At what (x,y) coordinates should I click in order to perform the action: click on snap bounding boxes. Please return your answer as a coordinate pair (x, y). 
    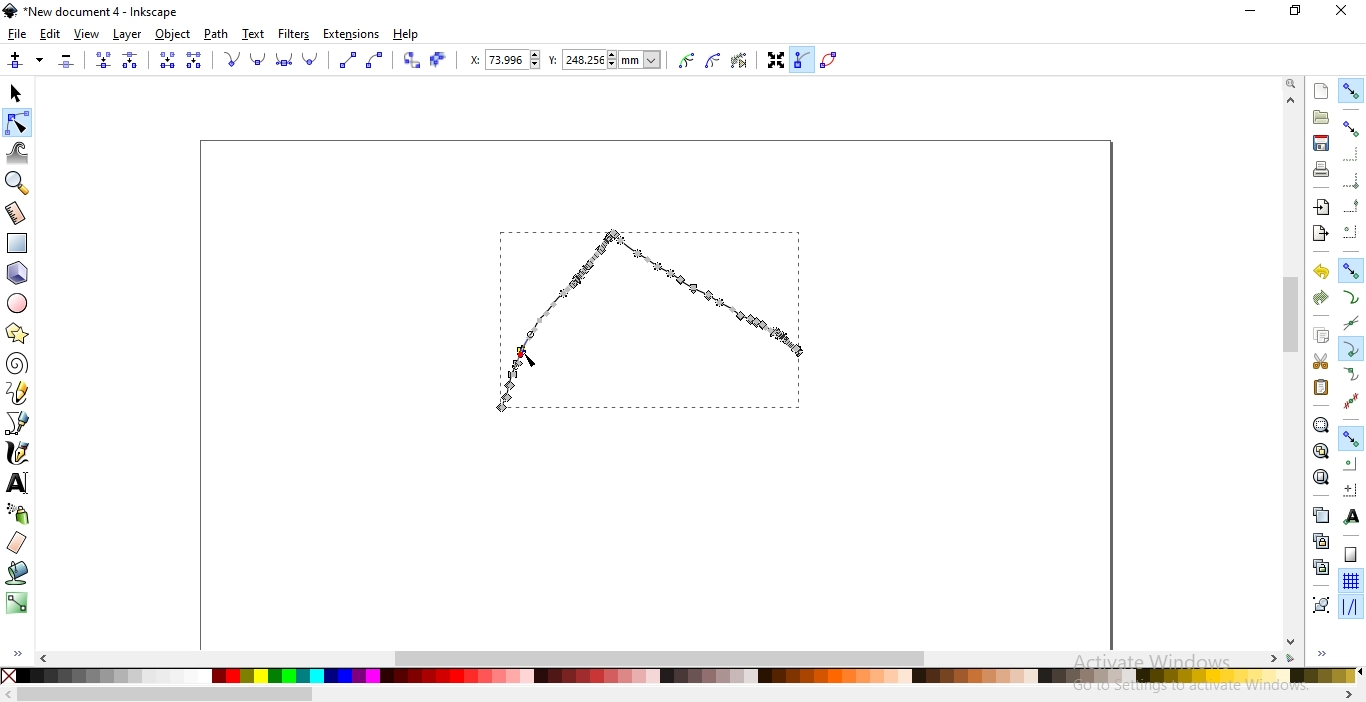
    Looking at the image, I should click on (1351, 127).